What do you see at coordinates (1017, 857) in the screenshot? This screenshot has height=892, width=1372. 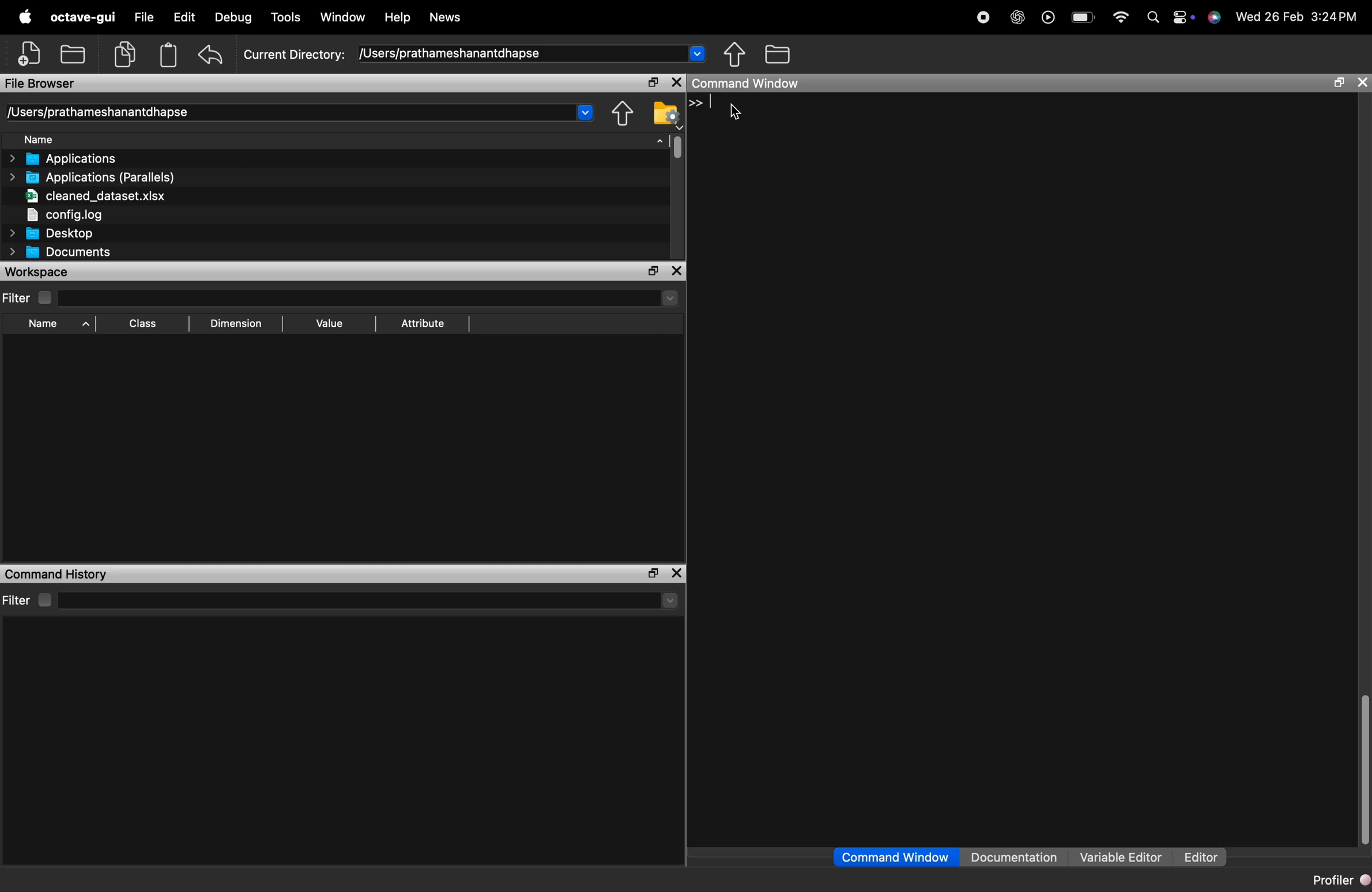 I see `Documentation` at bounding box center [1017, 857].